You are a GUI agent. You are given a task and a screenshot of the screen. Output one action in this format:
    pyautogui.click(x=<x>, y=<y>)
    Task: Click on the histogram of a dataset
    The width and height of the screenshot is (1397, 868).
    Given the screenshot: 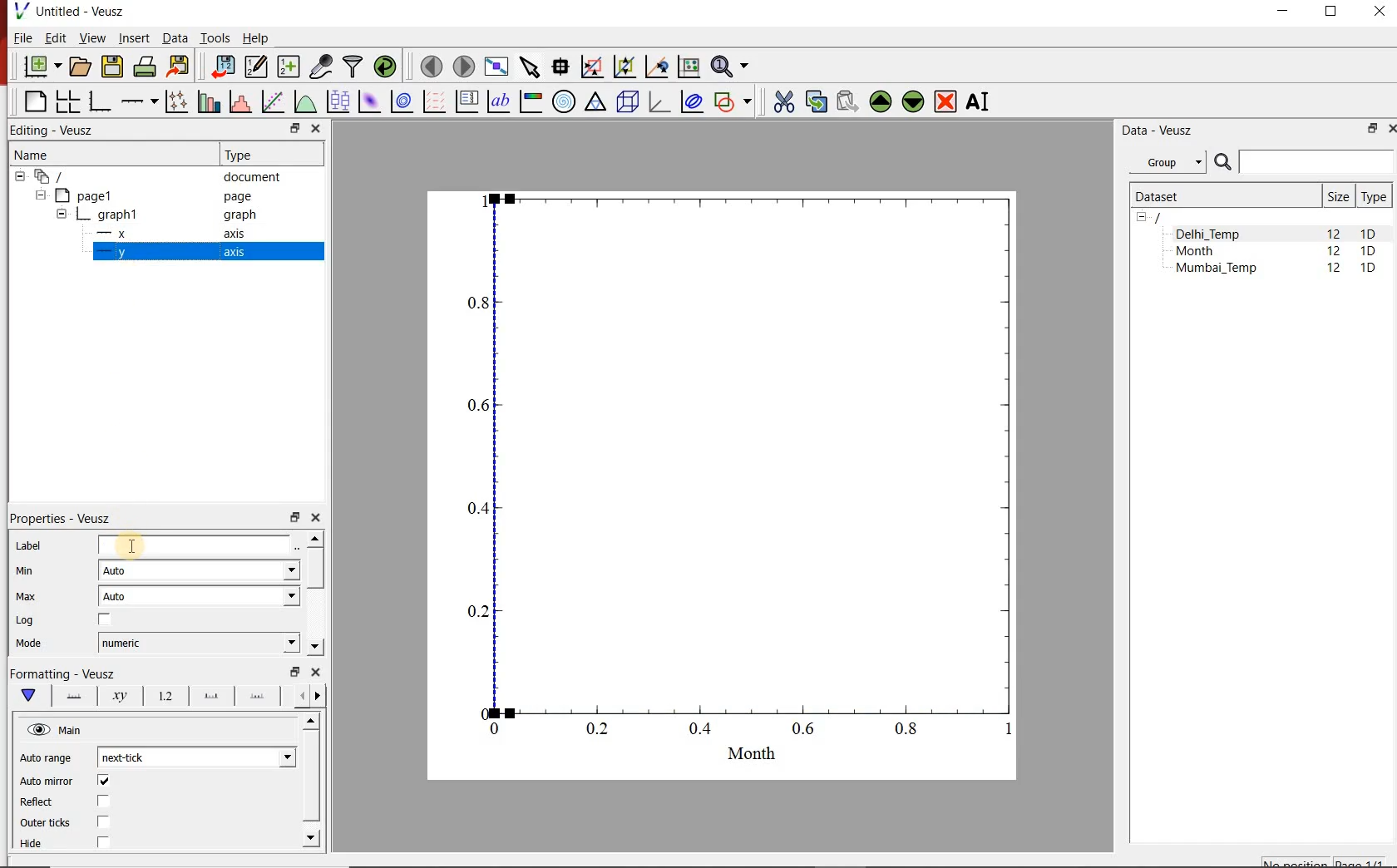 What is the action you would take?
    pyautogui.click(x=239, y=101)
    